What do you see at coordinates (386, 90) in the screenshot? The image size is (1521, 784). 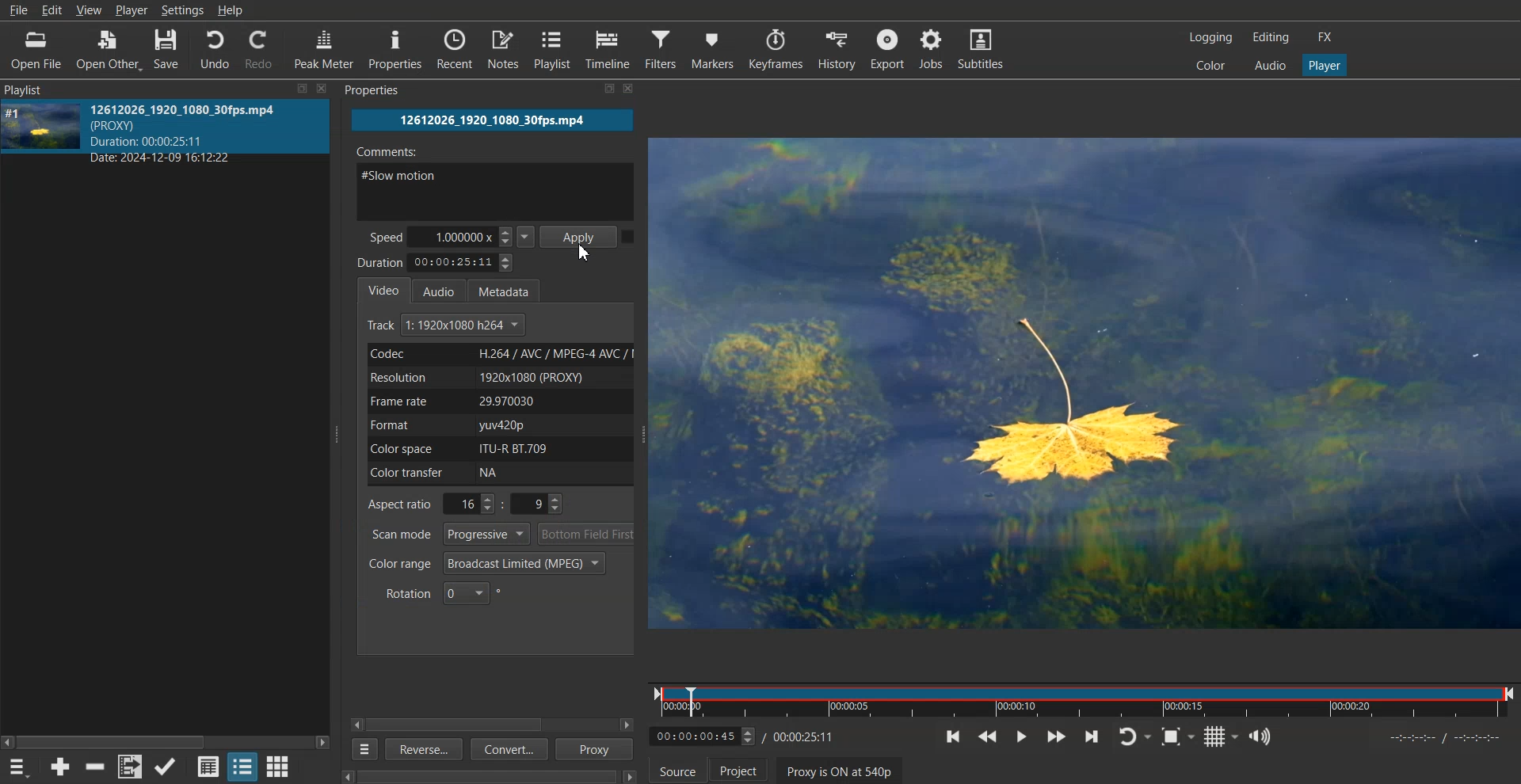 I see `Properties Panel` at bounding box center [386, 90].